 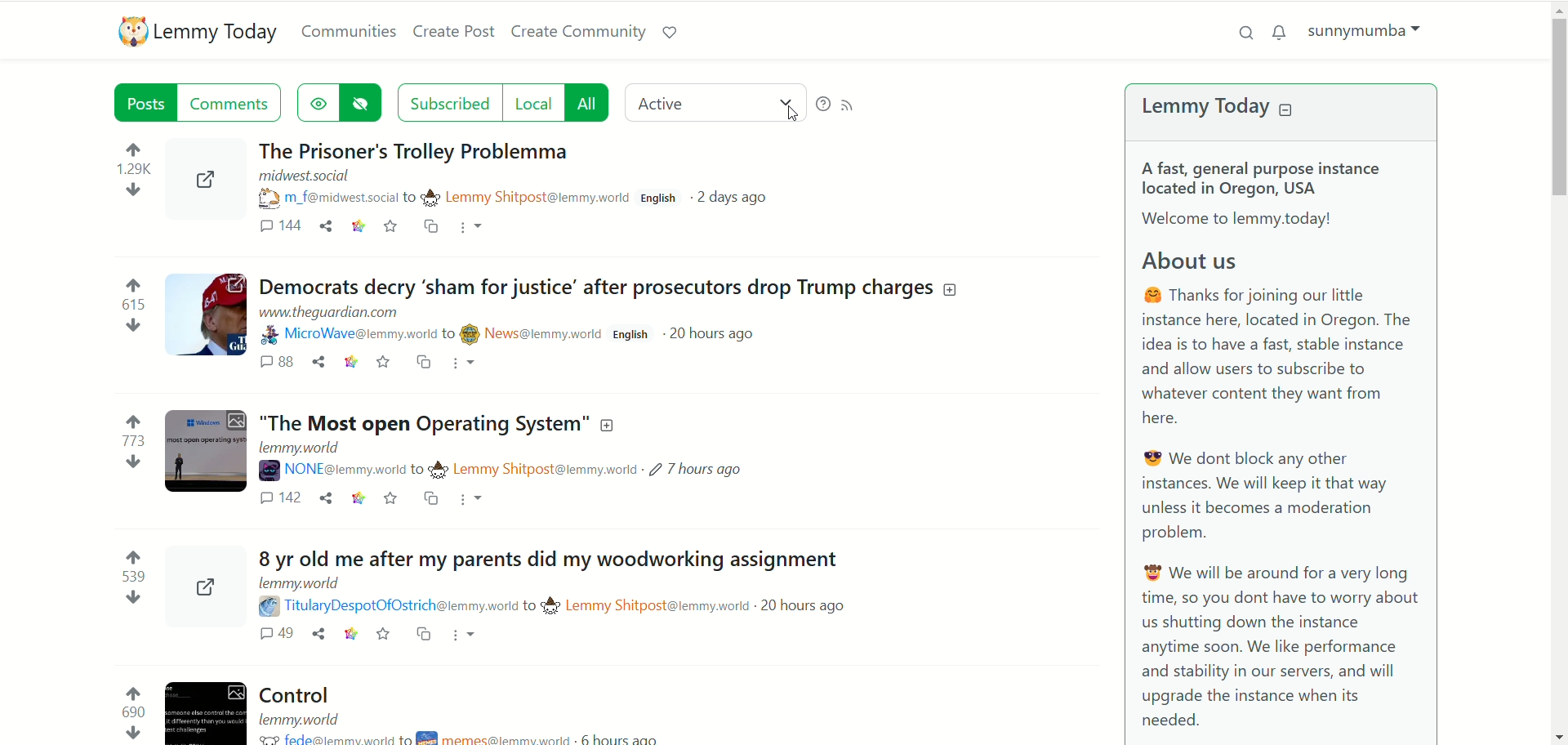 What do you see at coordinates (464, 147) in the screenshot?
I see `The Prisoner's Trolley Problemma` at bounding box center [464, 147].